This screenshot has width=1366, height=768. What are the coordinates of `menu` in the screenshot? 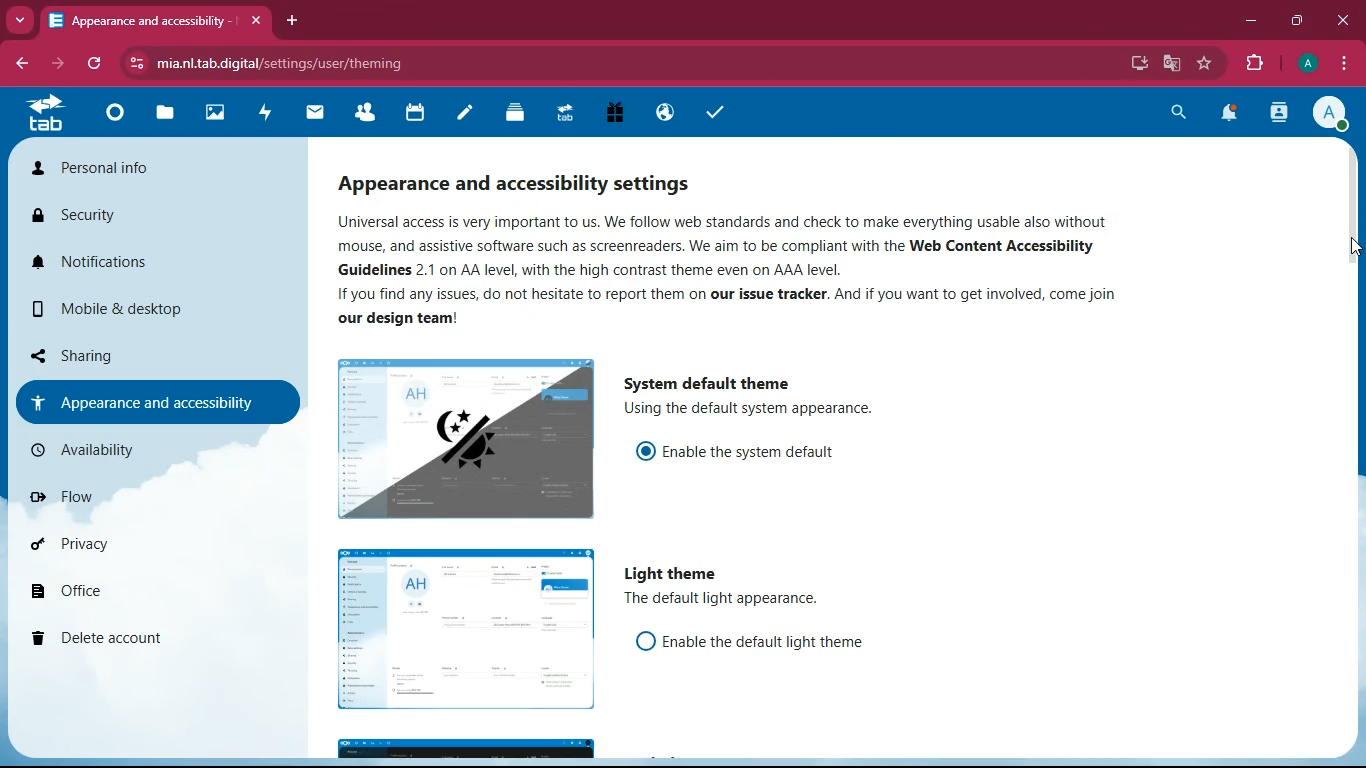 It's located at (1345, 64).